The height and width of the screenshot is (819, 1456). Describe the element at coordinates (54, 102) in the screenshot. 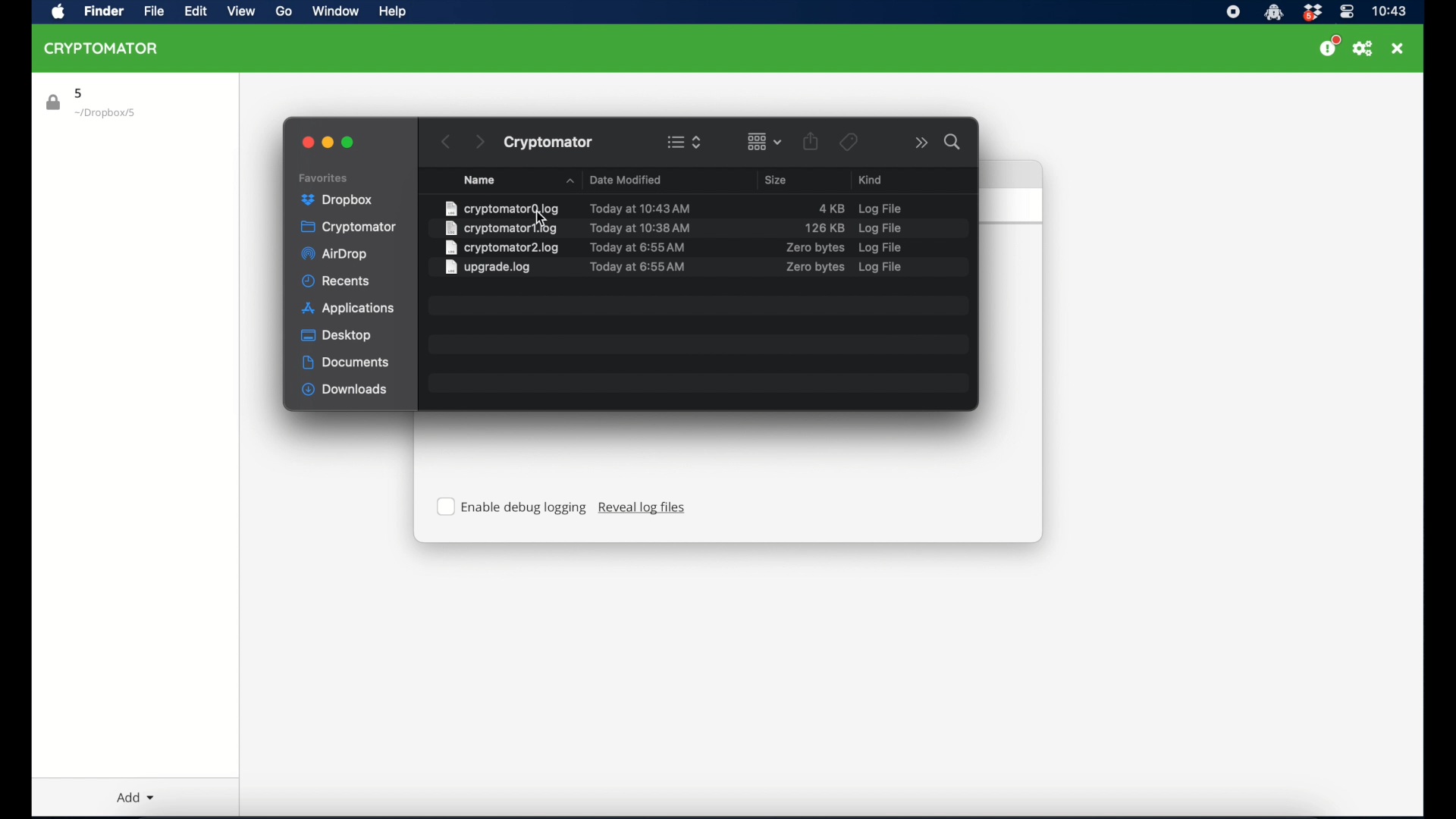

I see `lock icon` at that location.